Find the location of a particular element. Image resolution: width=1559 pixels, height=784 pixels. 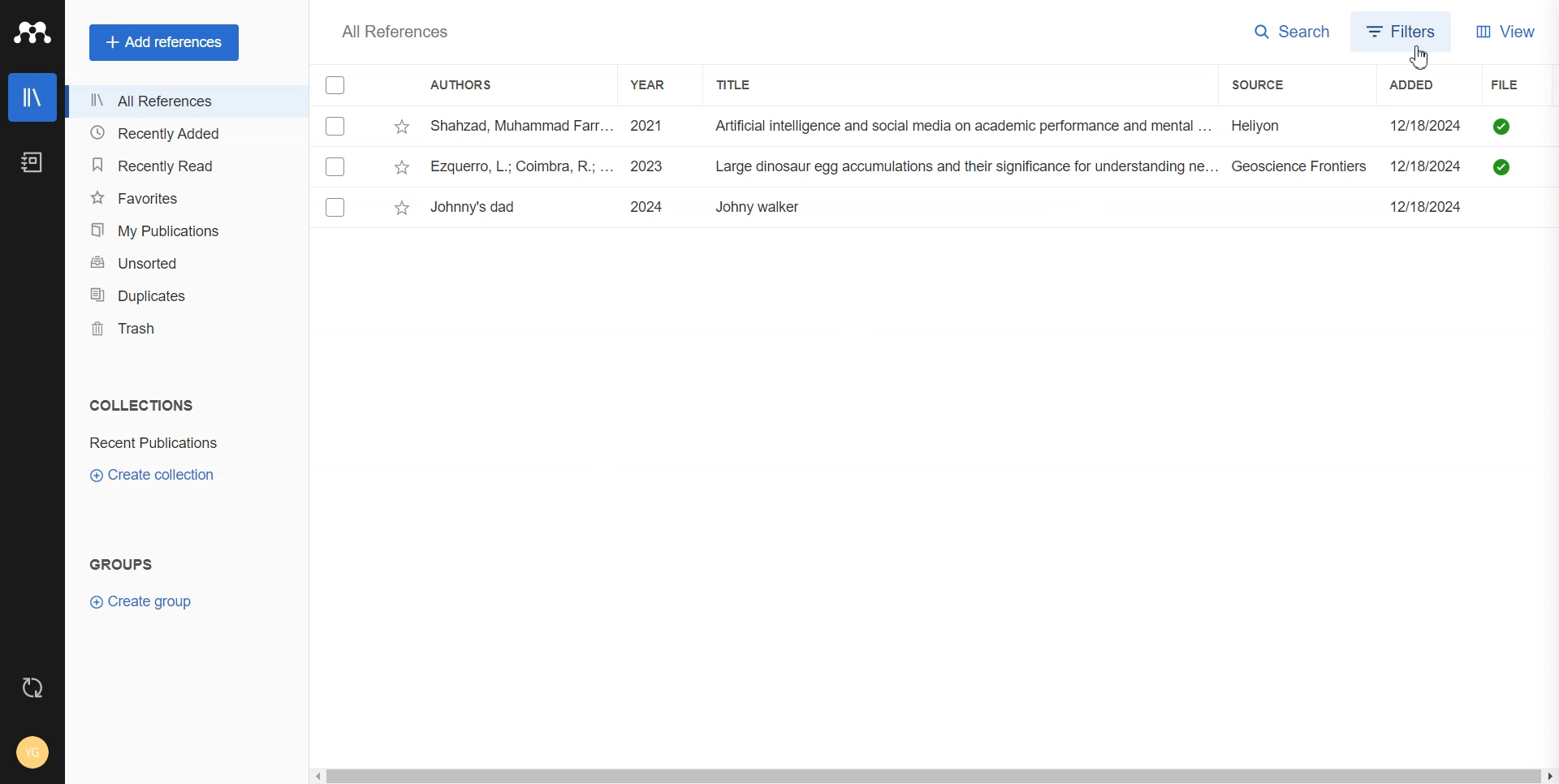

star is located at coordinates (402, 209).